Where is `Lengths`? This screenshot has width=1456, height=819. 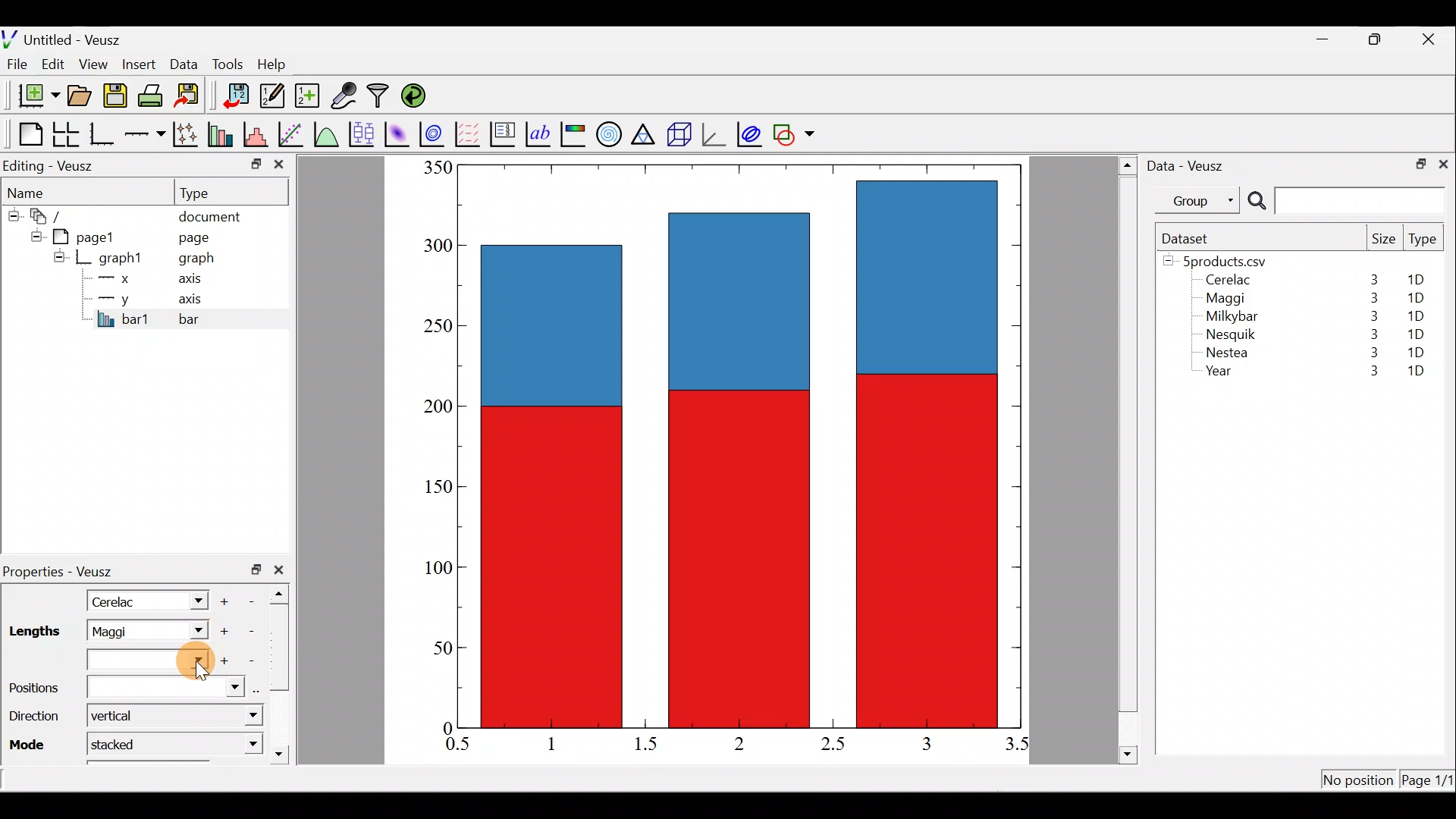
Lengths is located at coordinates (33, 632).